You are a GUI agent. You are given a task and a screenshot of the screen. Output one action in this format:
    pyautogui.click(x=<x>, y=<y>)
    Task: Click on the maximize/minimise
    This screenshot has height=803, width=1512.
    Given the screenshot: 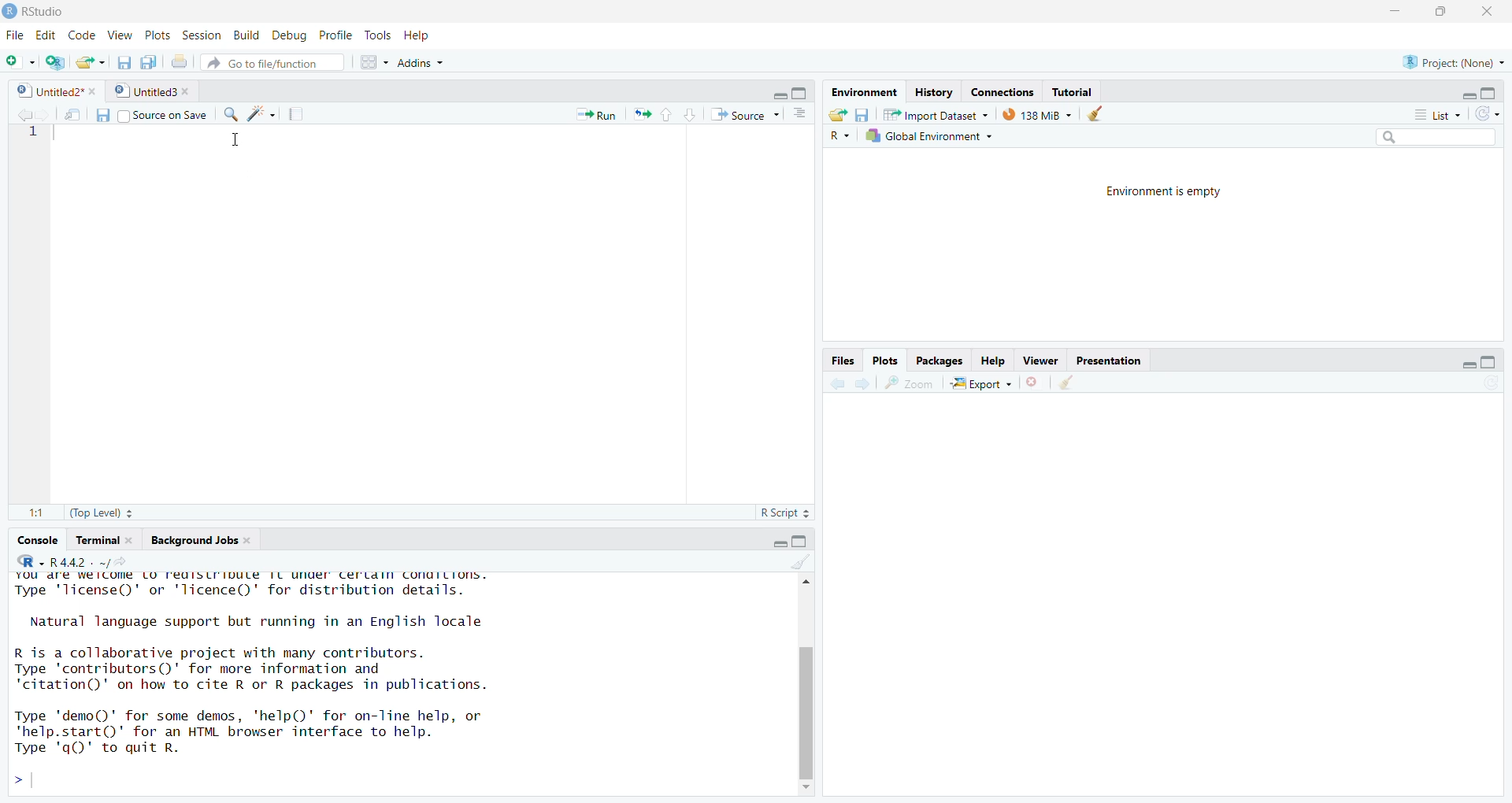 What is the action you would take?
    pyautogui.click(x=795, y=543)
    